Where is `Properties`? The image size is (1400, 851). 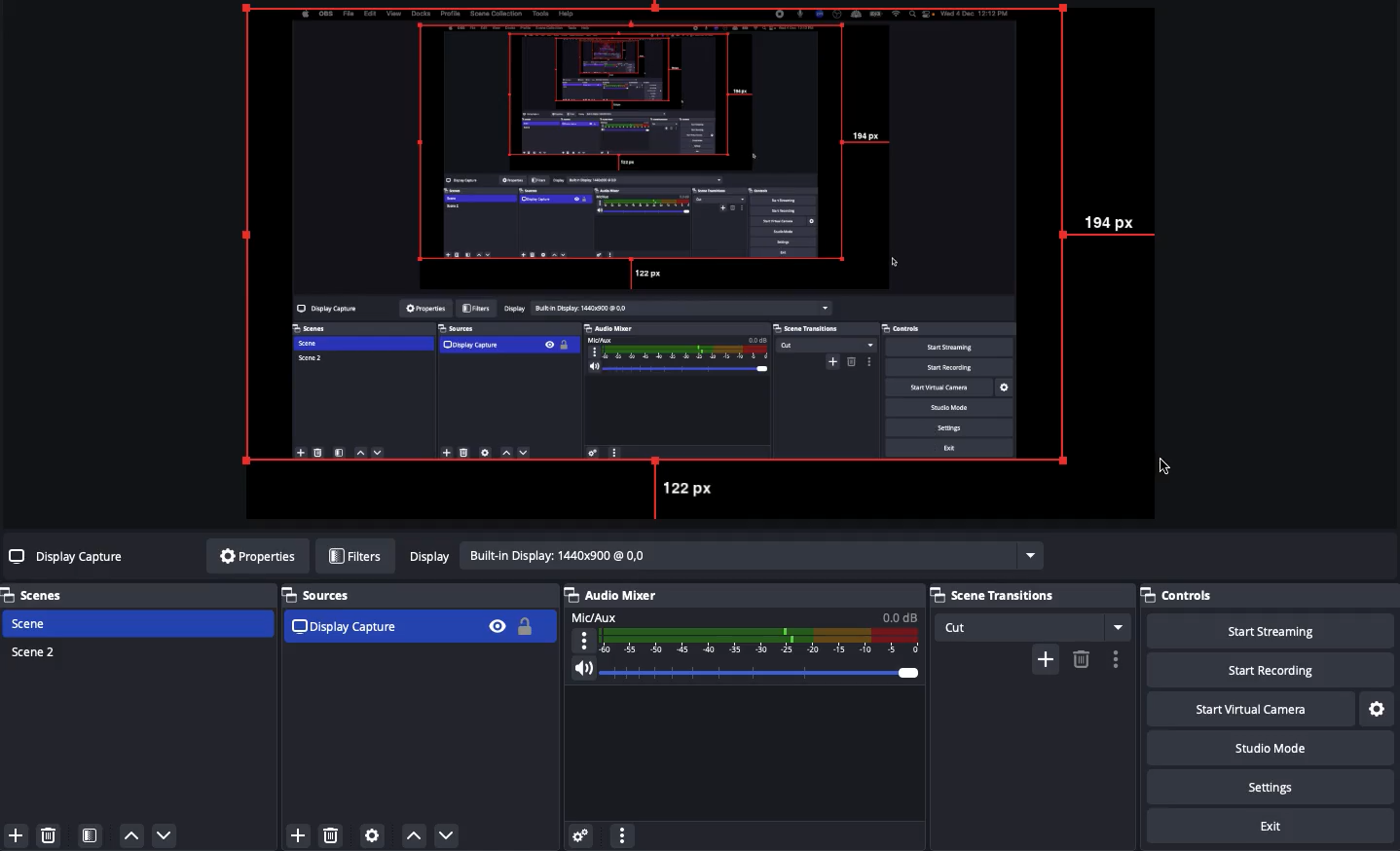
Properties is located at coordinates (252, 556).